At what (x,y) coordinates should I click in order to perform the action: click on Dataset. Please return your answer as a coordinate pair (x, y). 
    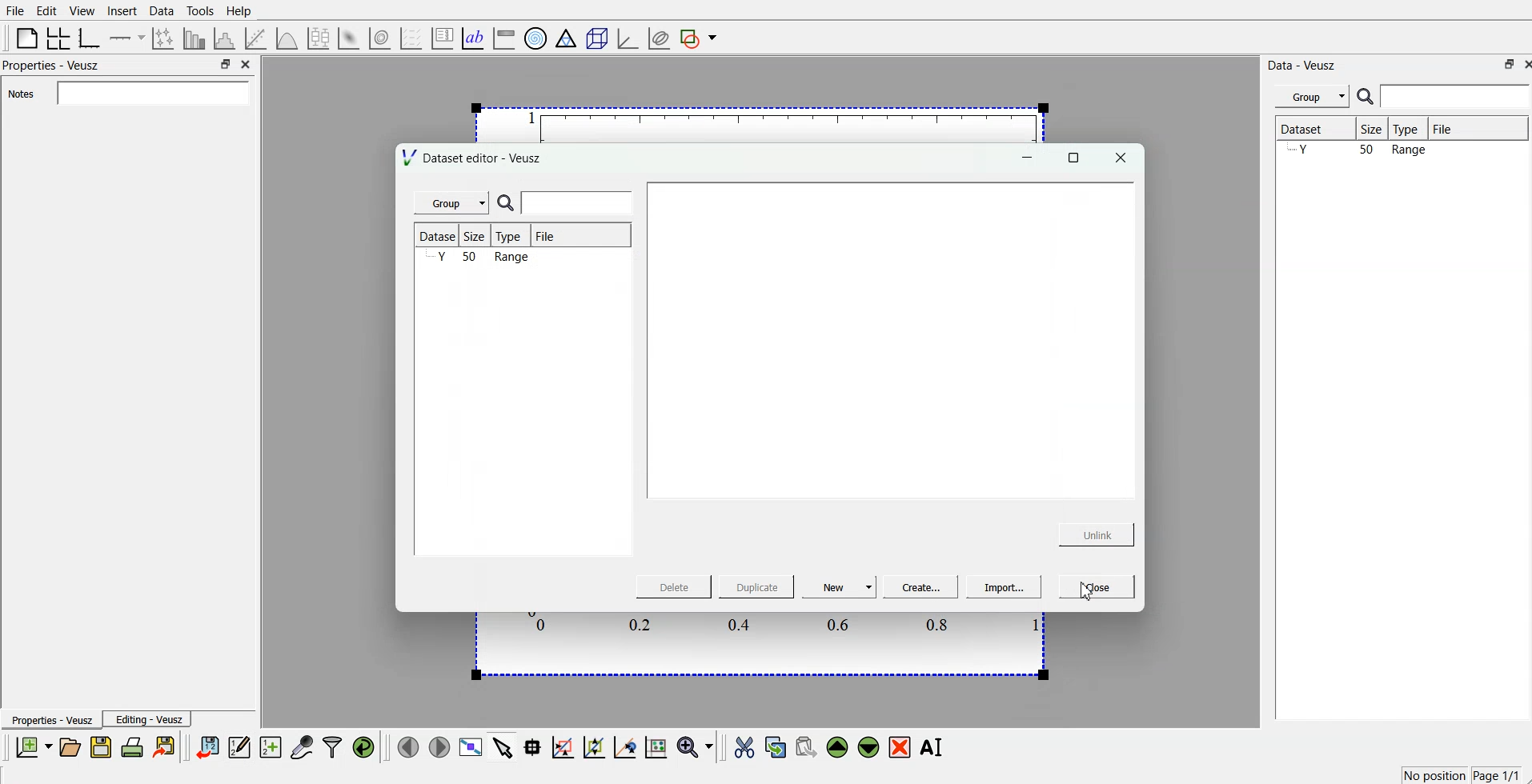
    Looking at the image, I should click on (1308, 128).